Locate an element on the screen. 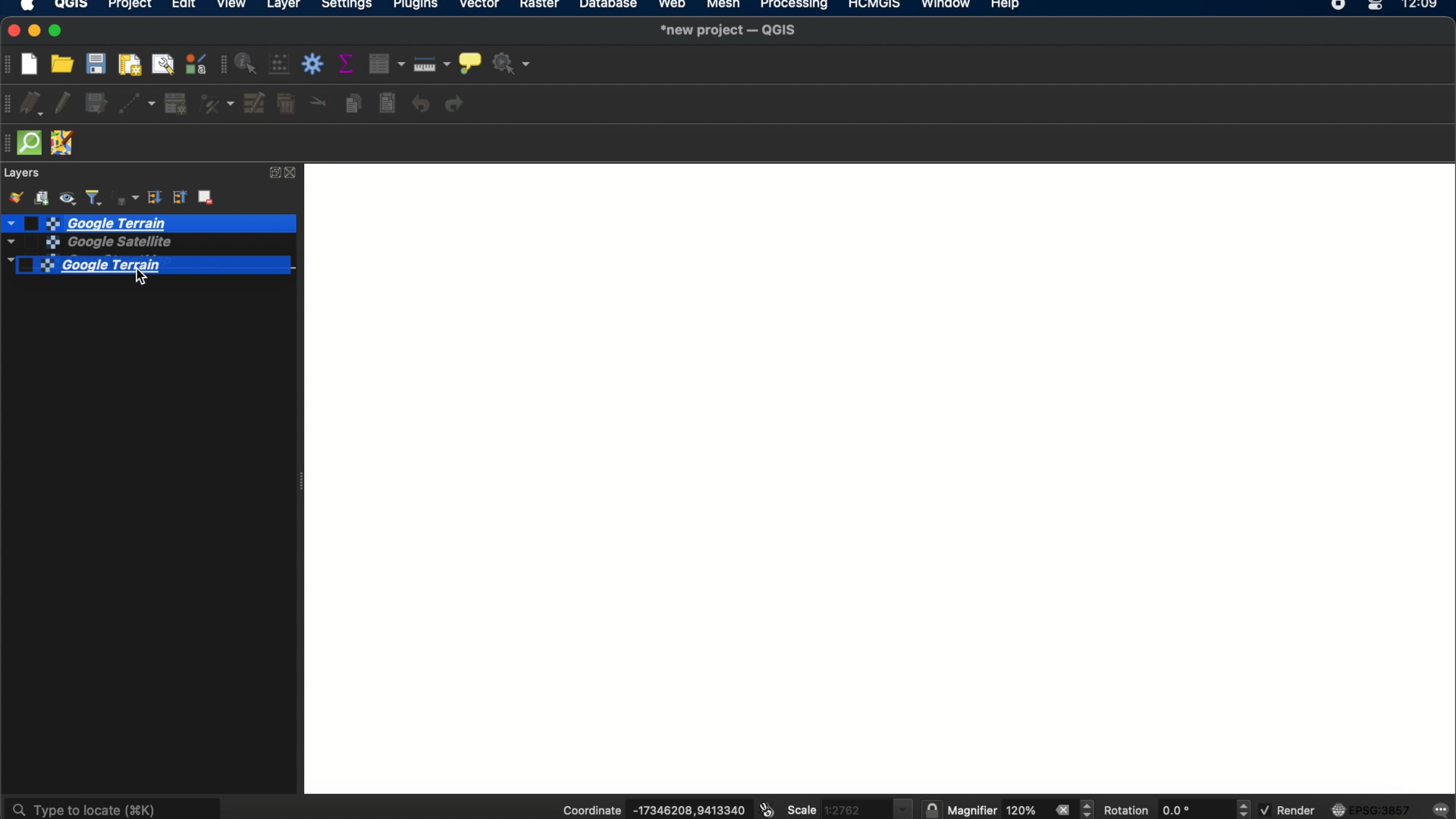 This screenshot has height=819, width=1456. save layer edits is located at coordinates (97, 105).